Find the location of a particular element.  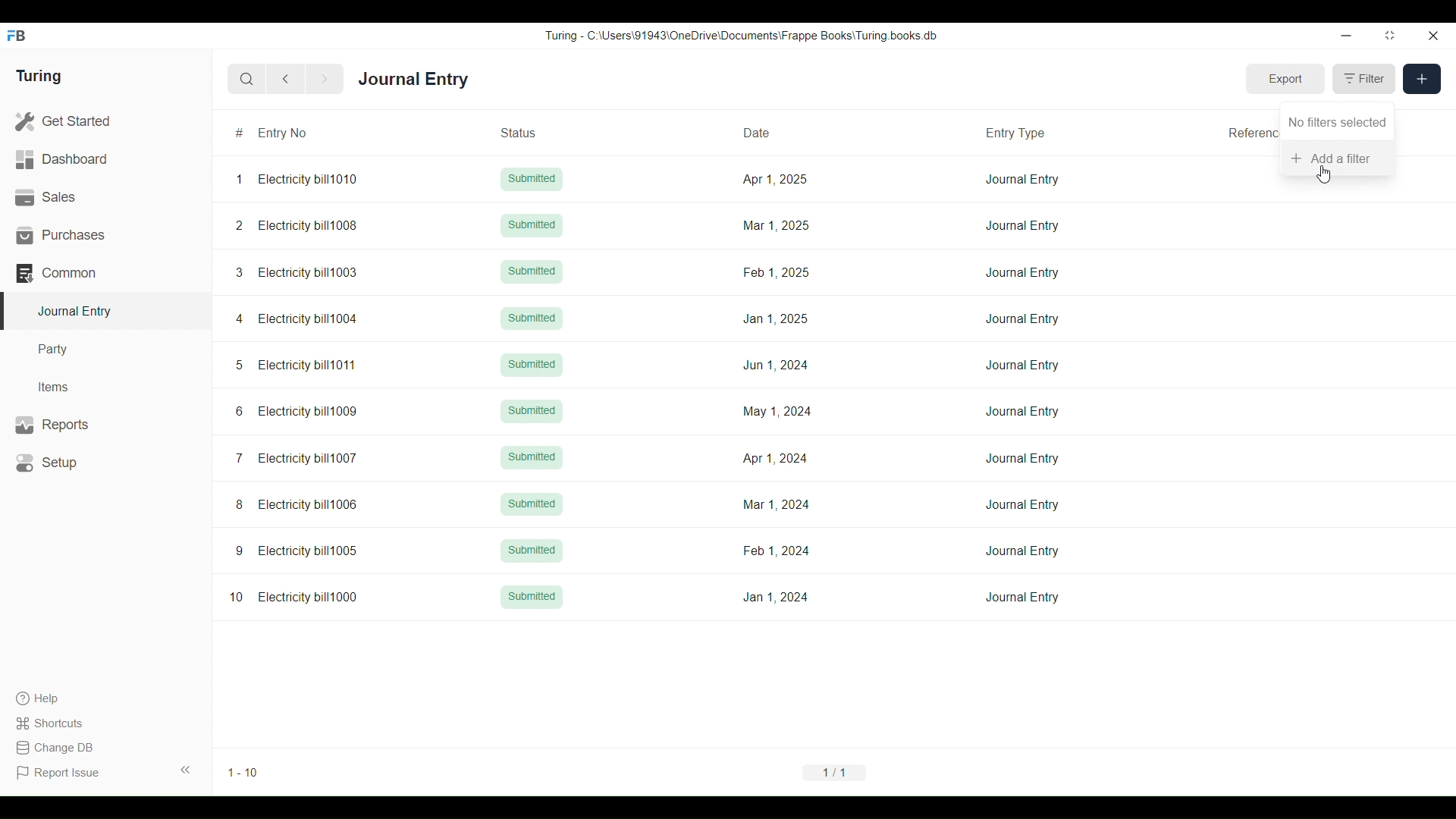

Apr 1, 2024 is located at coordinates (774, 458).